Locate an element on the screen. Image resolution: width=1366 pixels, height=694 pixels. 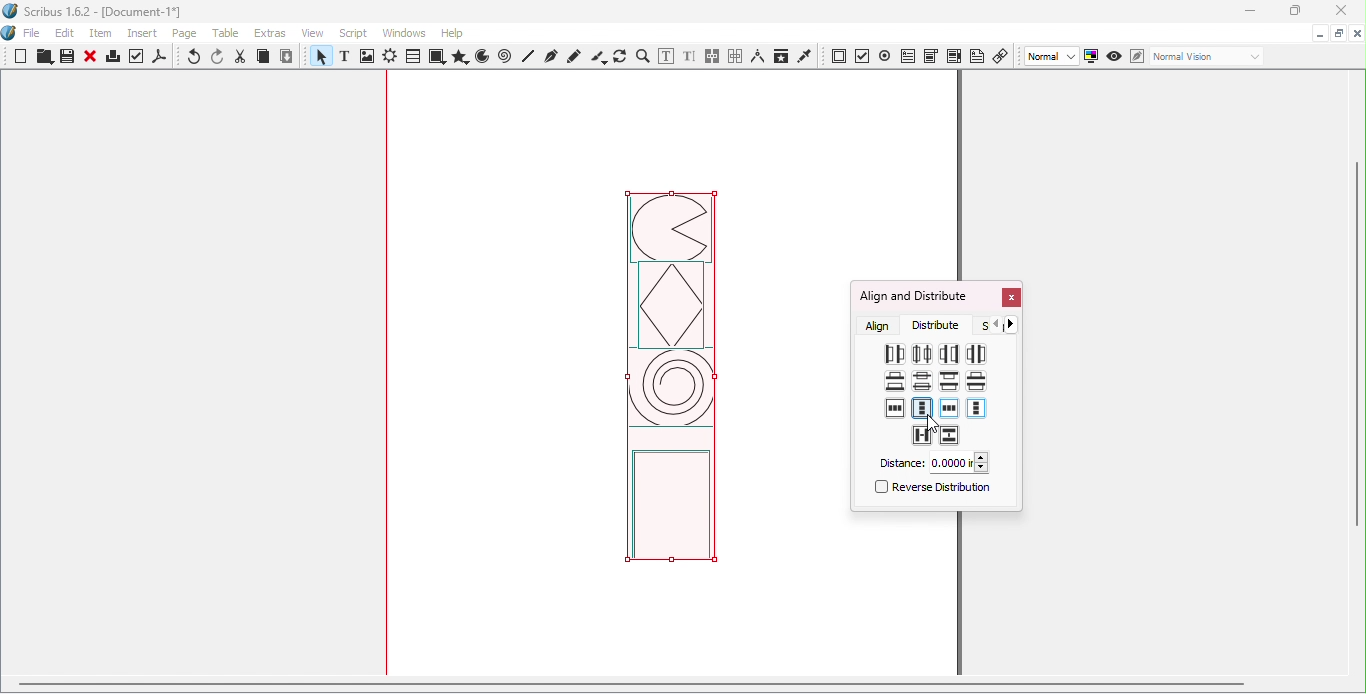
Close is located at coordinates (90, 58).